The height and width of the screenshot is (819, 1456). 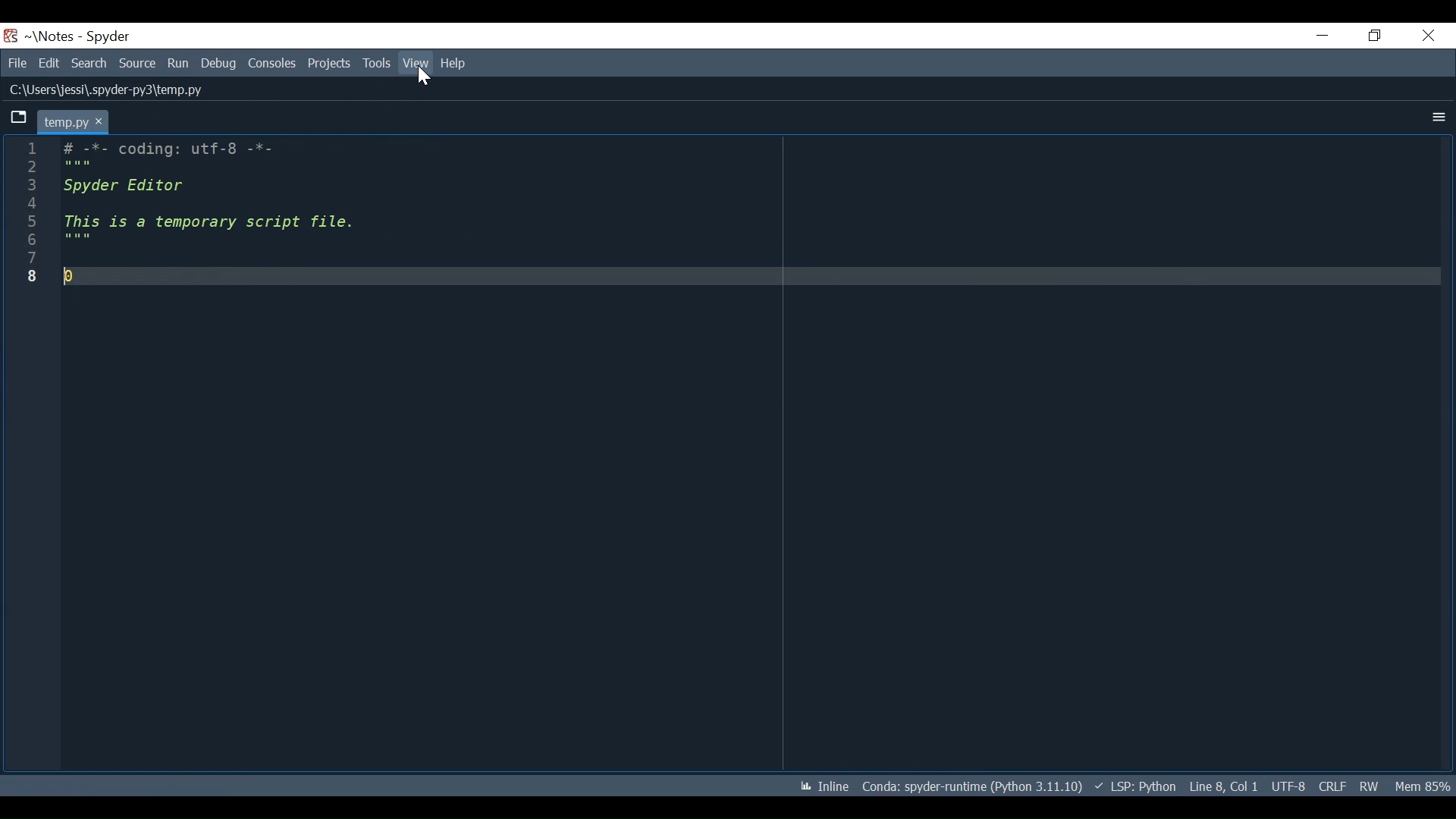 I want to click on Mem 86%, so click(x=1423, y=787).